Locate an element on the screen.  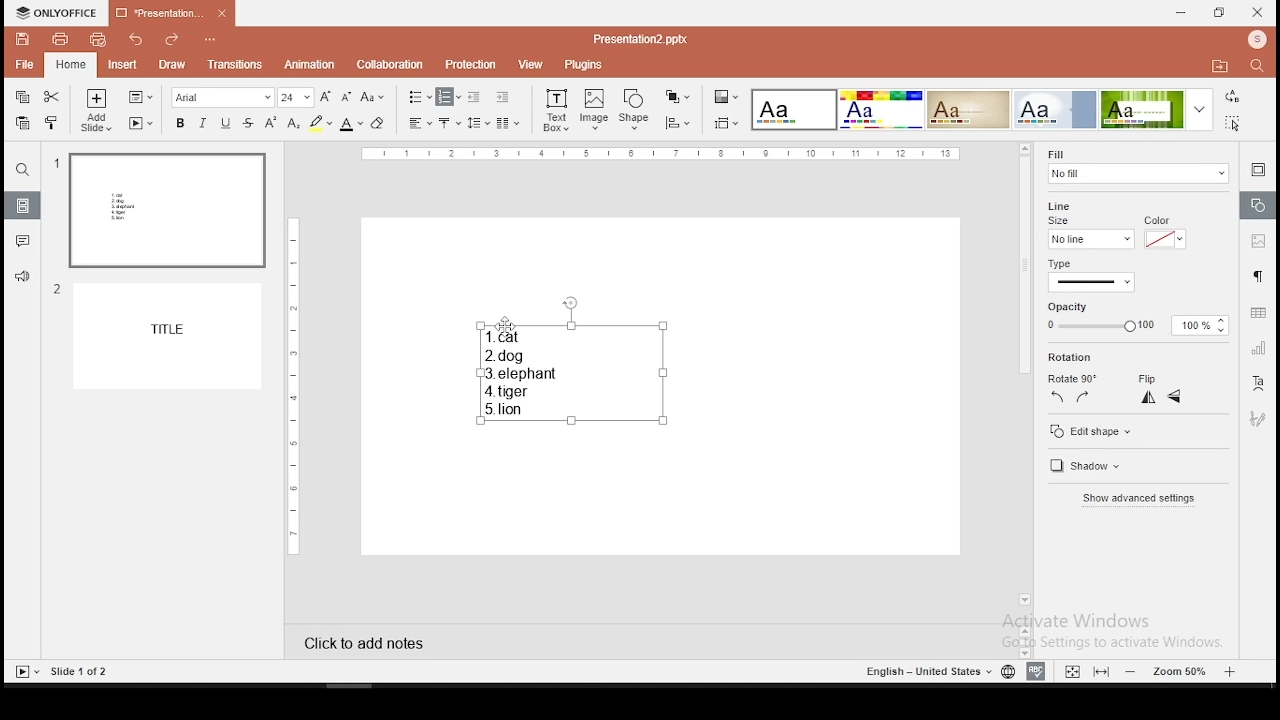
font size is located at coordinates (296, 97).